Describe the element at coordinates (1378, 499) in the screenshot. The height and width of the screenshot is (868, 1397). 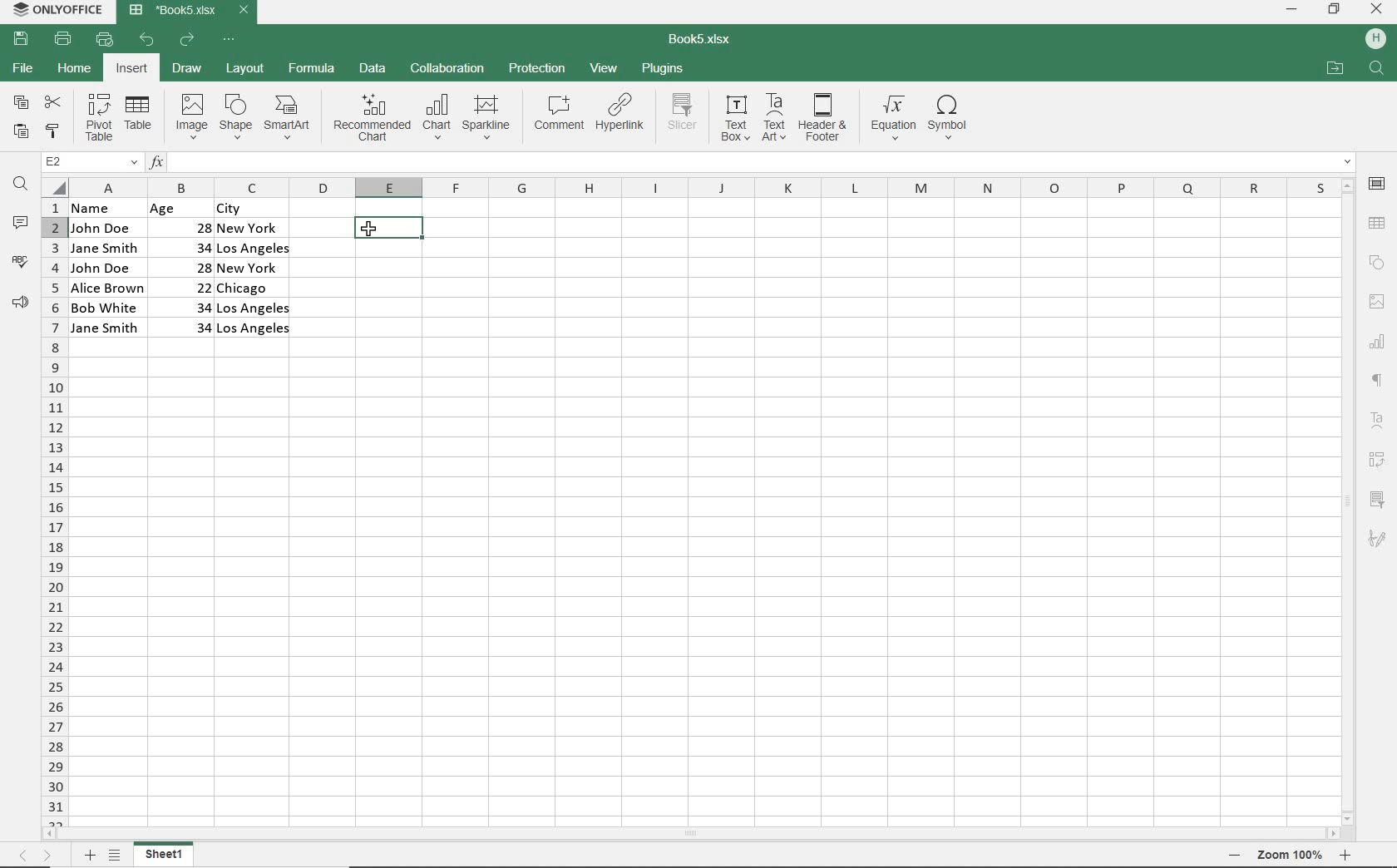
I see `SLICER` at that location.